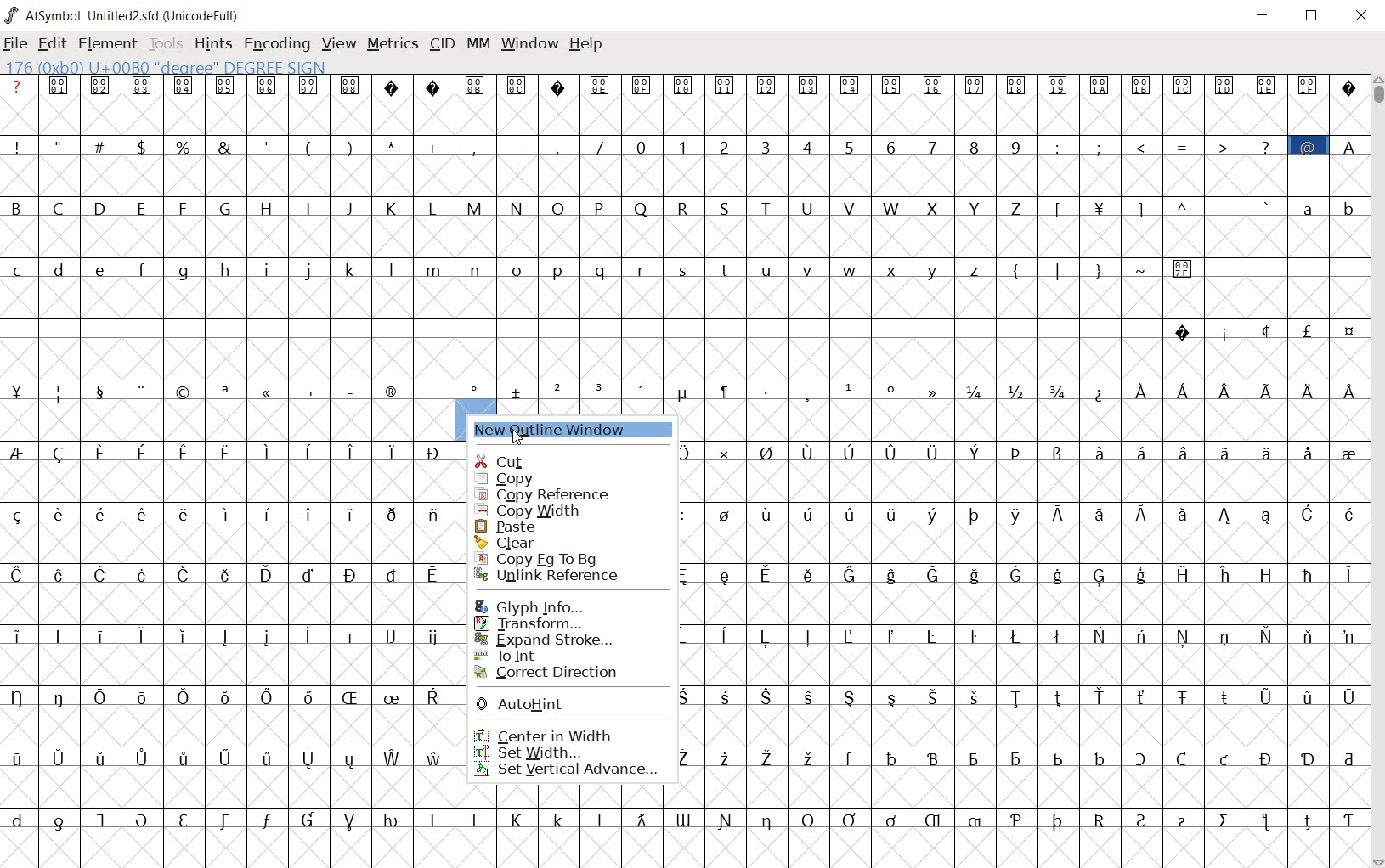 Image resolution: width=1385 pixels, height=868 pixels. I want to click on @, so click(1310, 145).